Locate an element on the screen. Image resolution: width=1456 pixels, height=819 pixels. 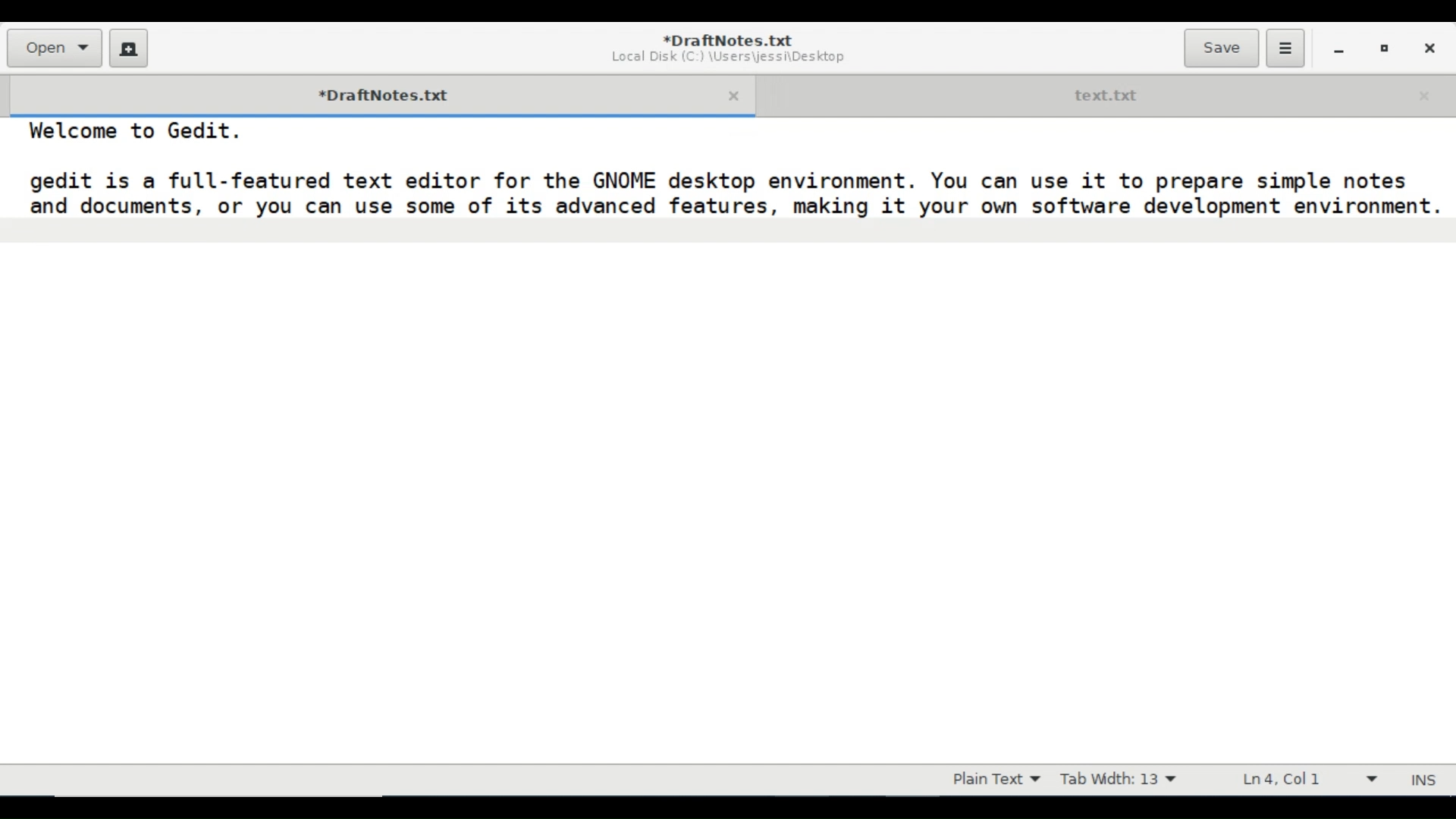
Current Tab is located at coordinates (372, 93).